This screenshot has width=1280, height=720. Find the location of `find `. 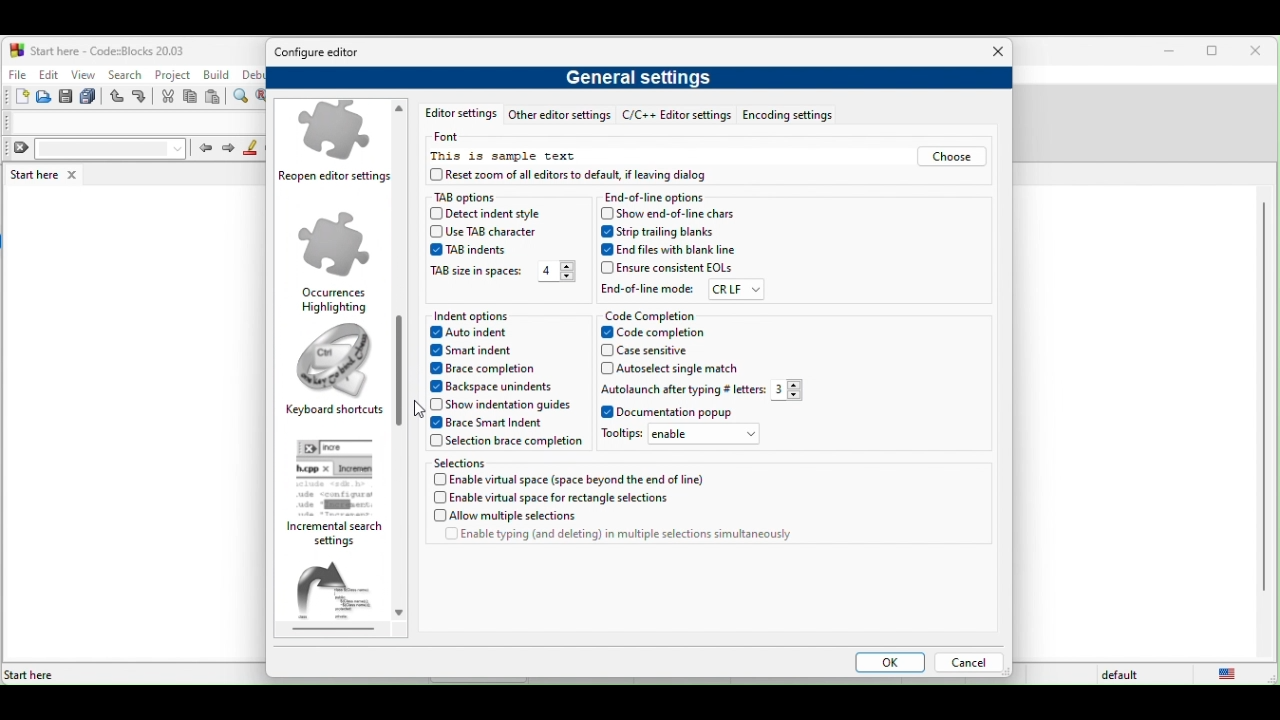

find  is located at coordinates (243, 97).